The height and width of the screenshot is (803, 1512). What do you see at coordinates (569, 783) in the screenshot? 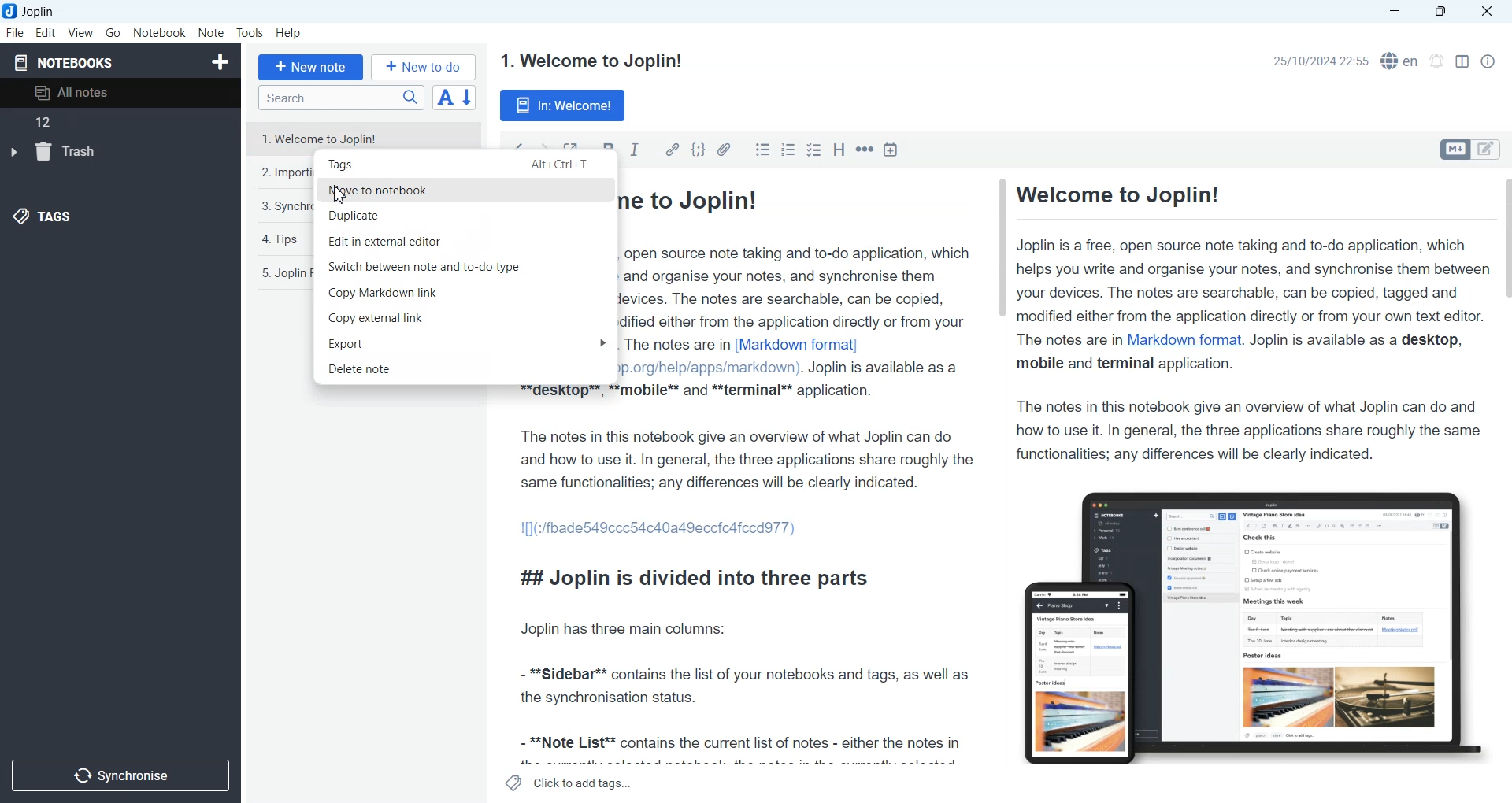
I see `Click to add tags` at bounding box center [569, 783].